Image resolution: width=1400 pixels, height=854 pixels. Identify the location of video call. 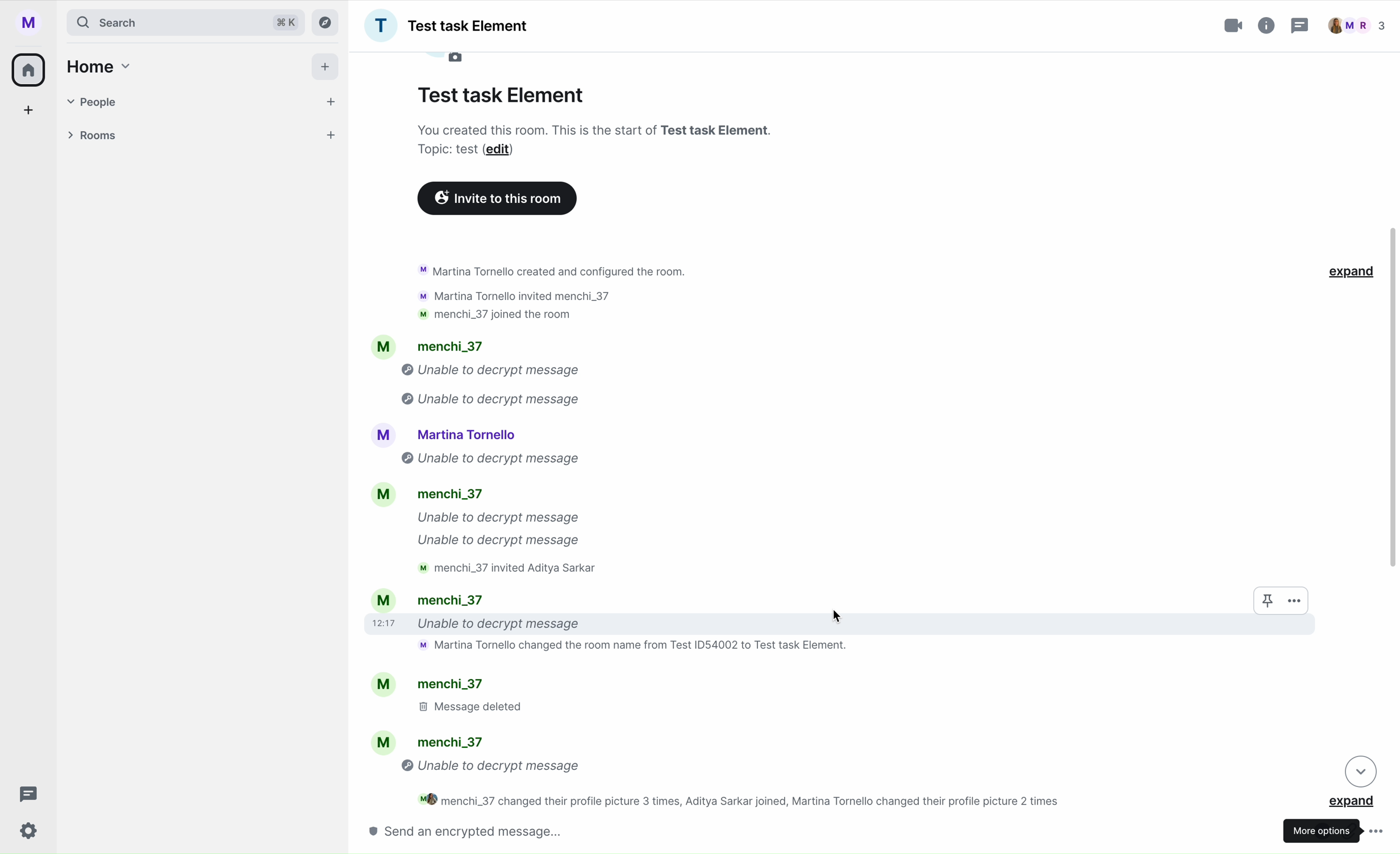
(1235, 26).